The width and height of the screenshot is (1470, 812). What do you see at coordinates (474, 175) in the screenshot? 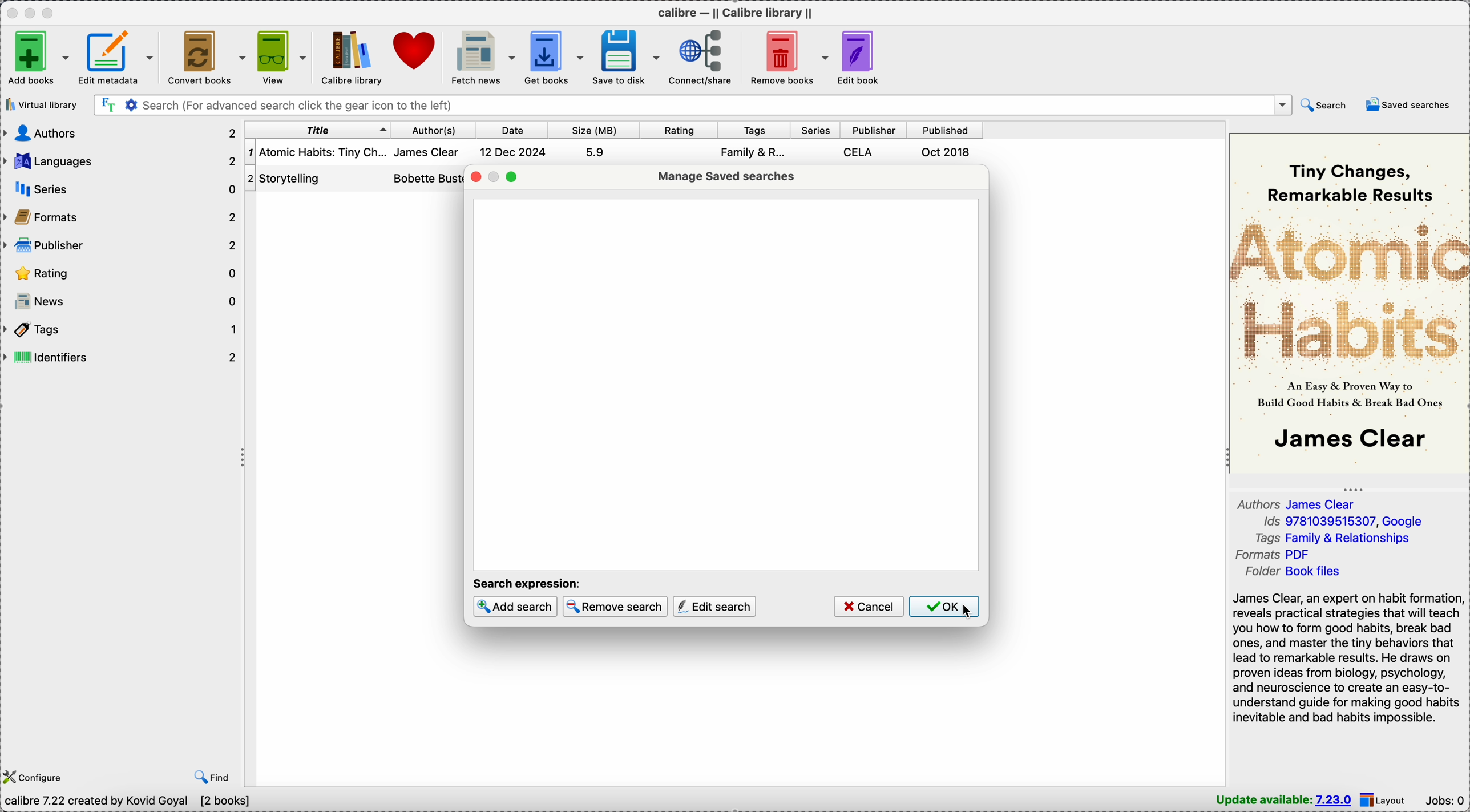
I see `close popup` at bounding box center [474, 175].